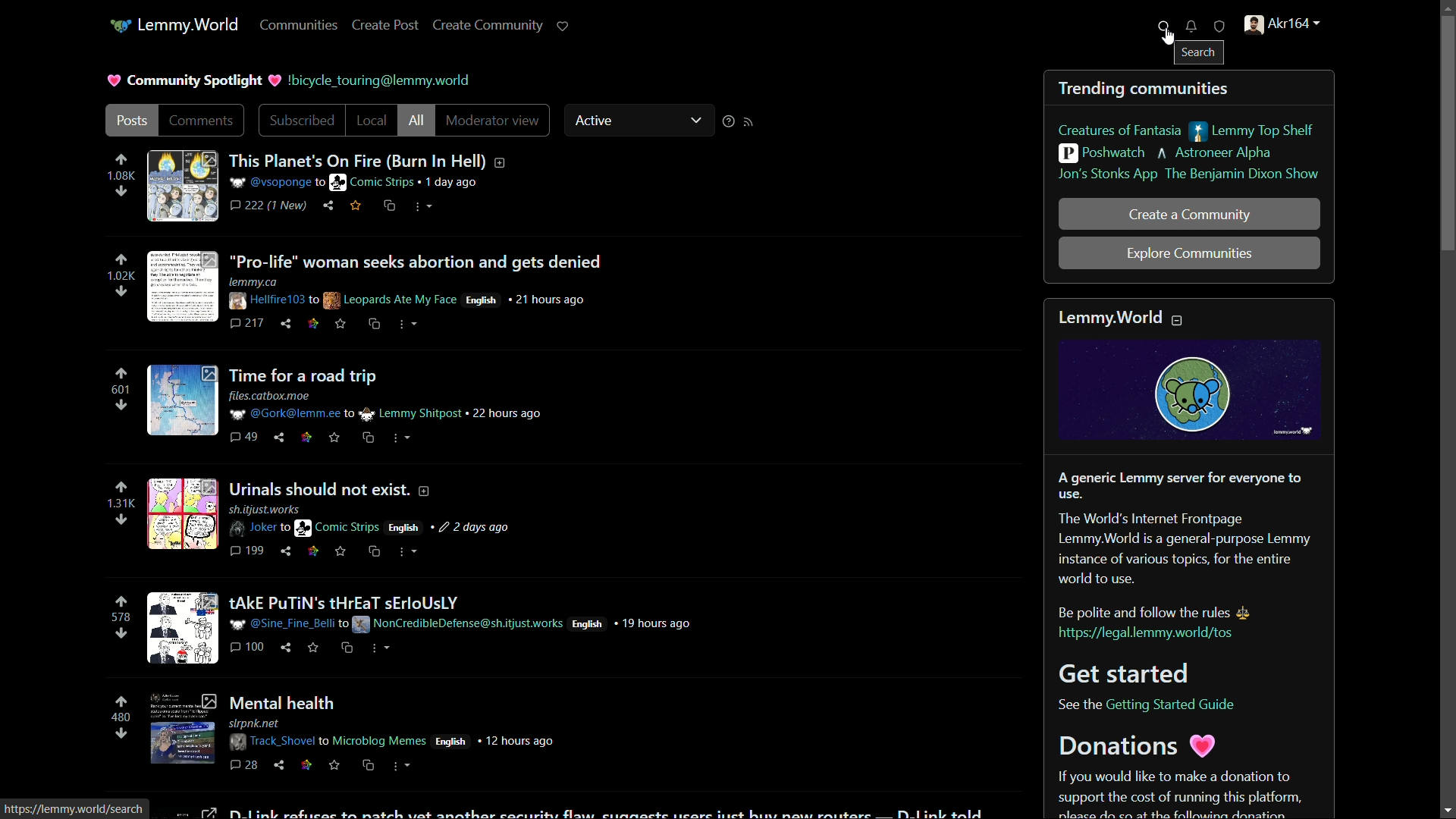 This screenshot has width=1456, height=819. I want to click on create a community, so click(1190, 215).